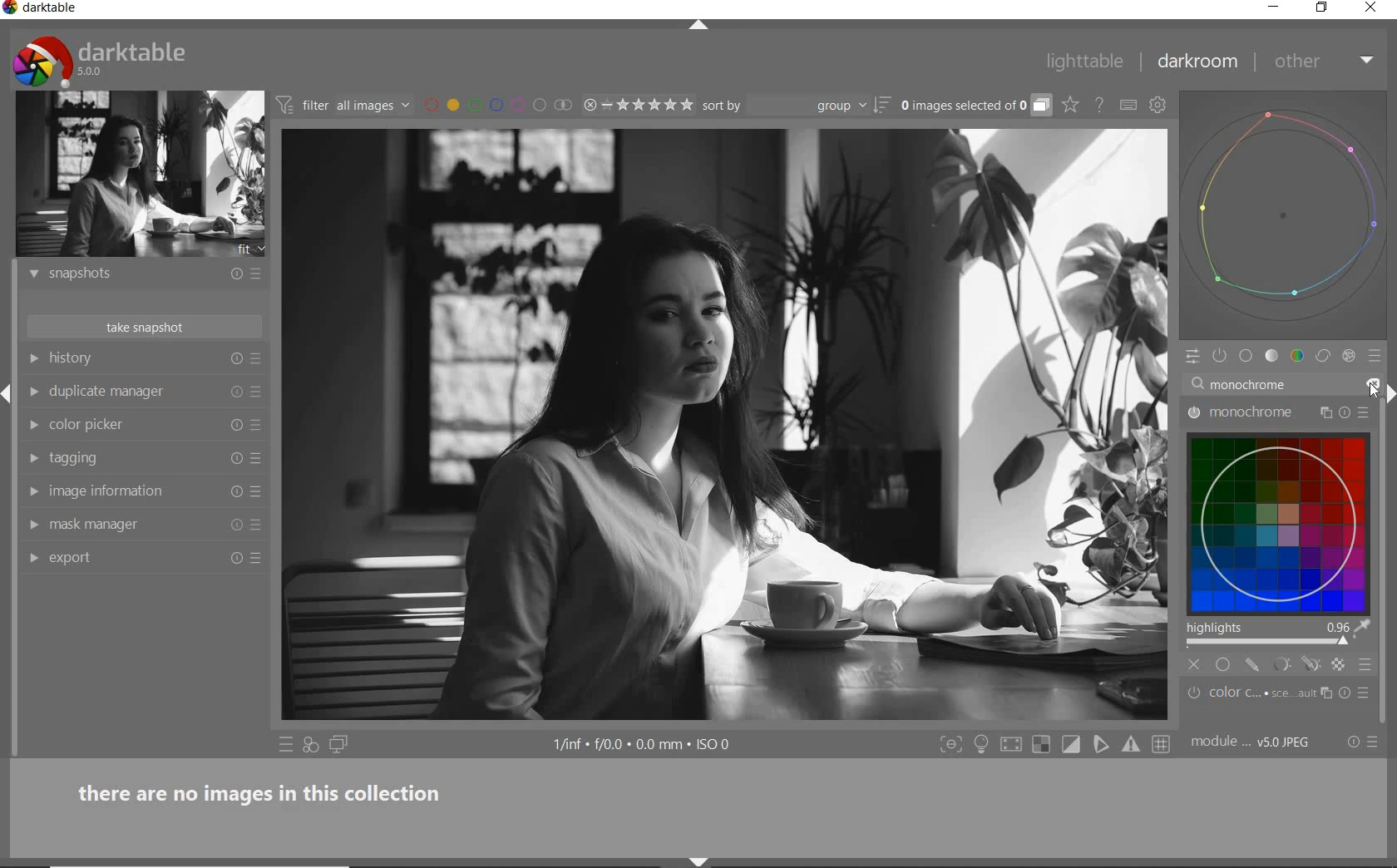  I want to click on reset, so click(234, 457).